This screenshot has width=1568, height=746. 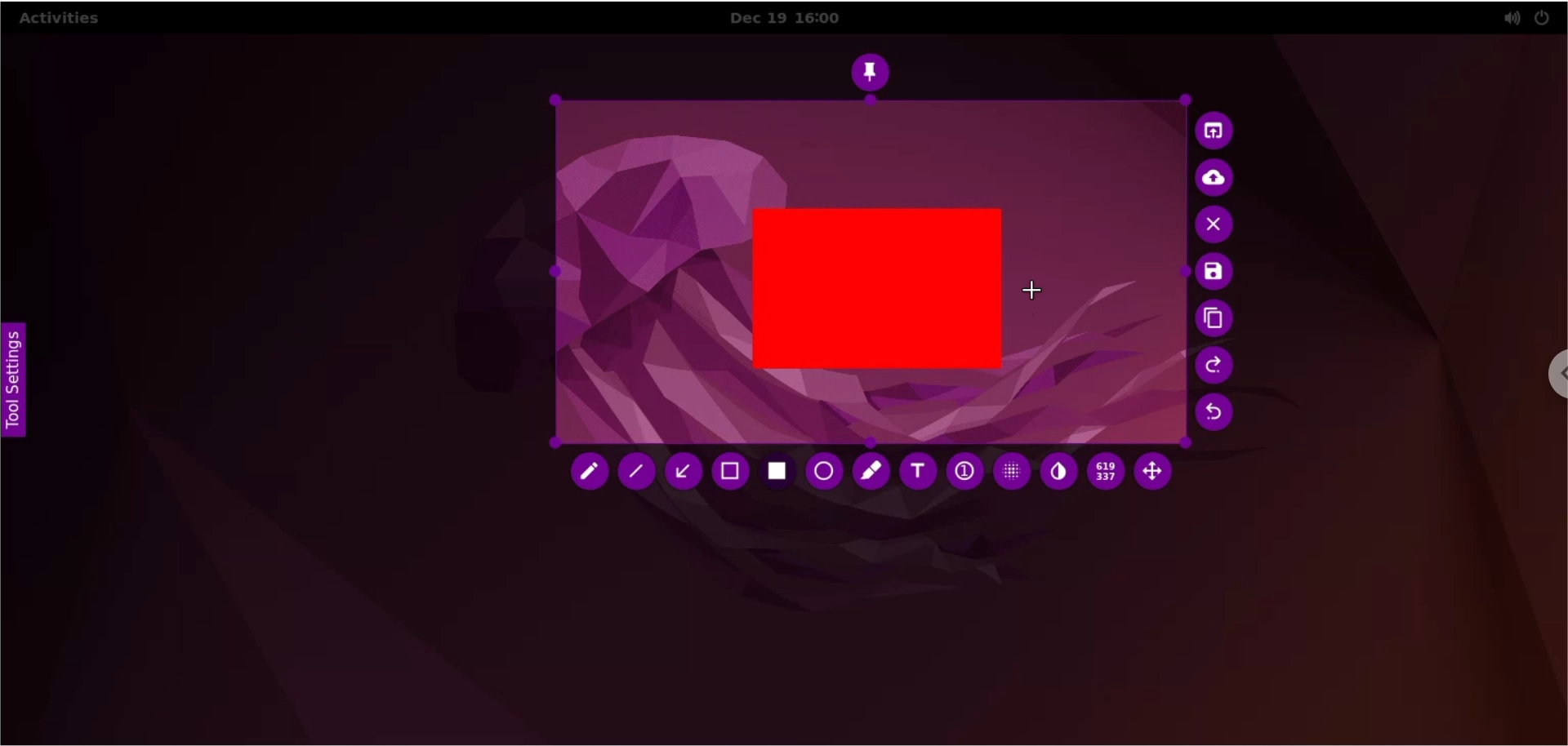 I want to click on cursor, so click(x=1036, y=290).